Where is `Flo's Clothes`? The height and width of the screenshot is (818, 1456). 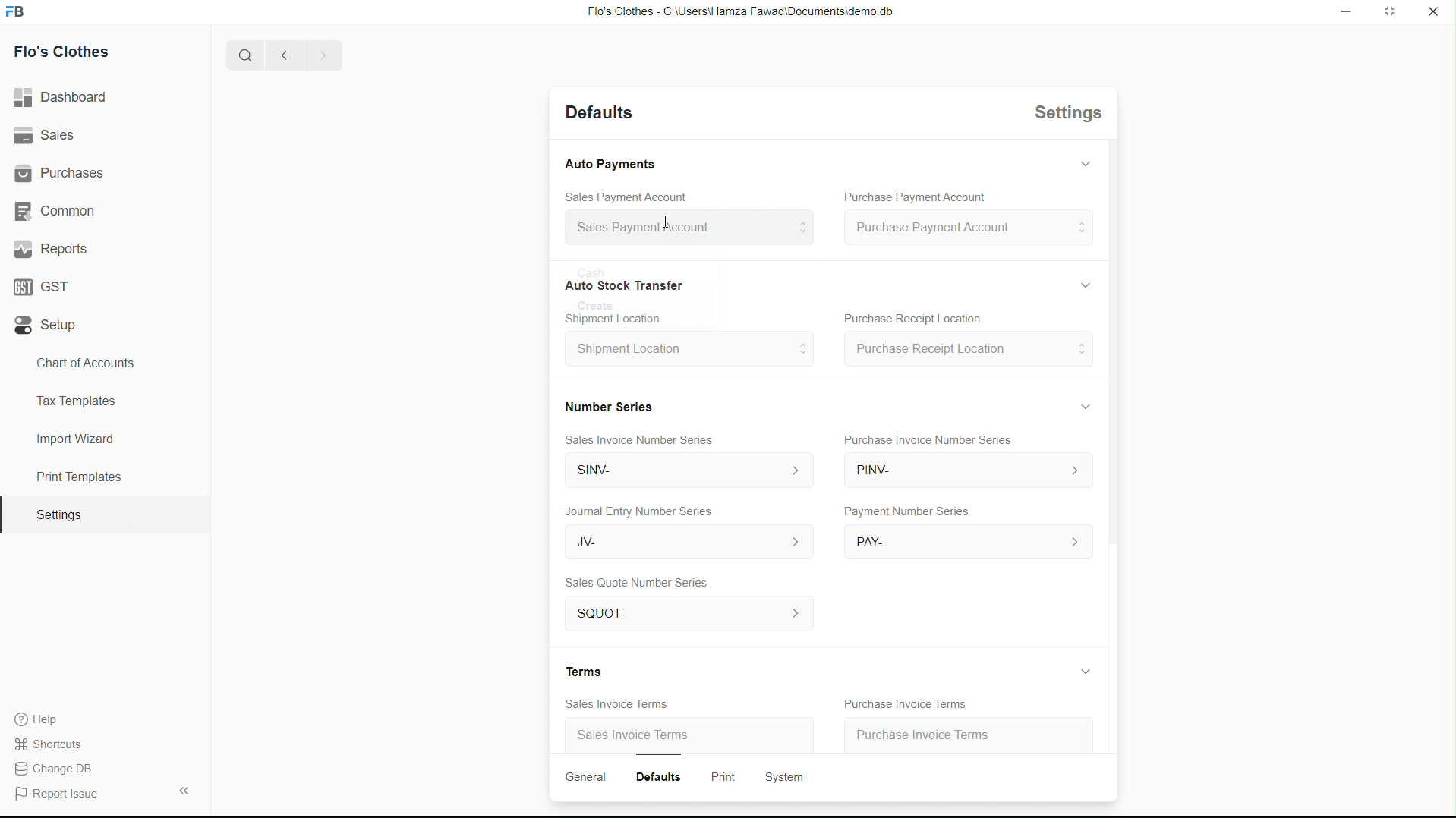 Flo's Clothes is located at coordinates (68, 54).